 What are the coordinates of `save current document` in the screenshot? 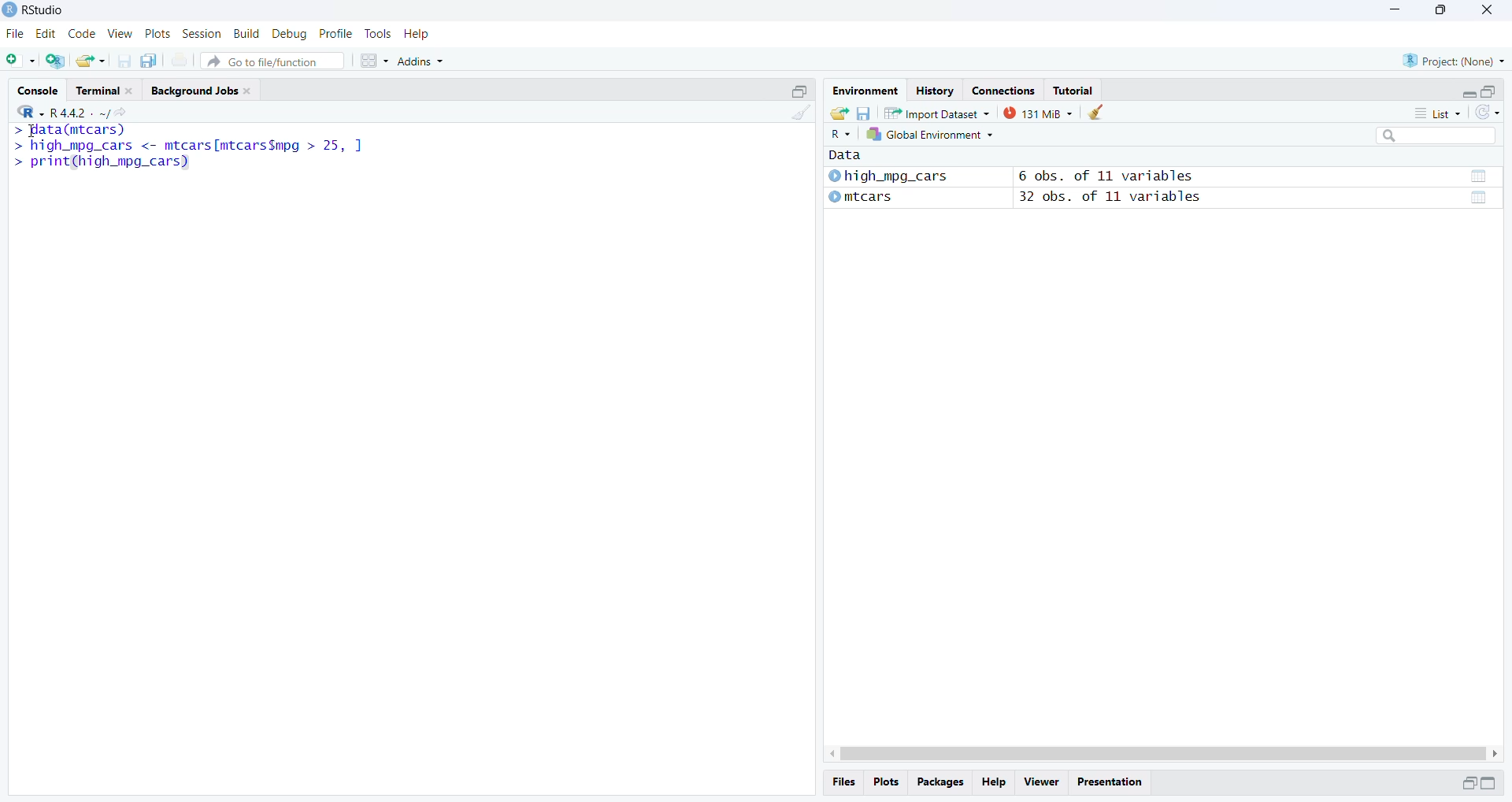 It's located at (124, 60).